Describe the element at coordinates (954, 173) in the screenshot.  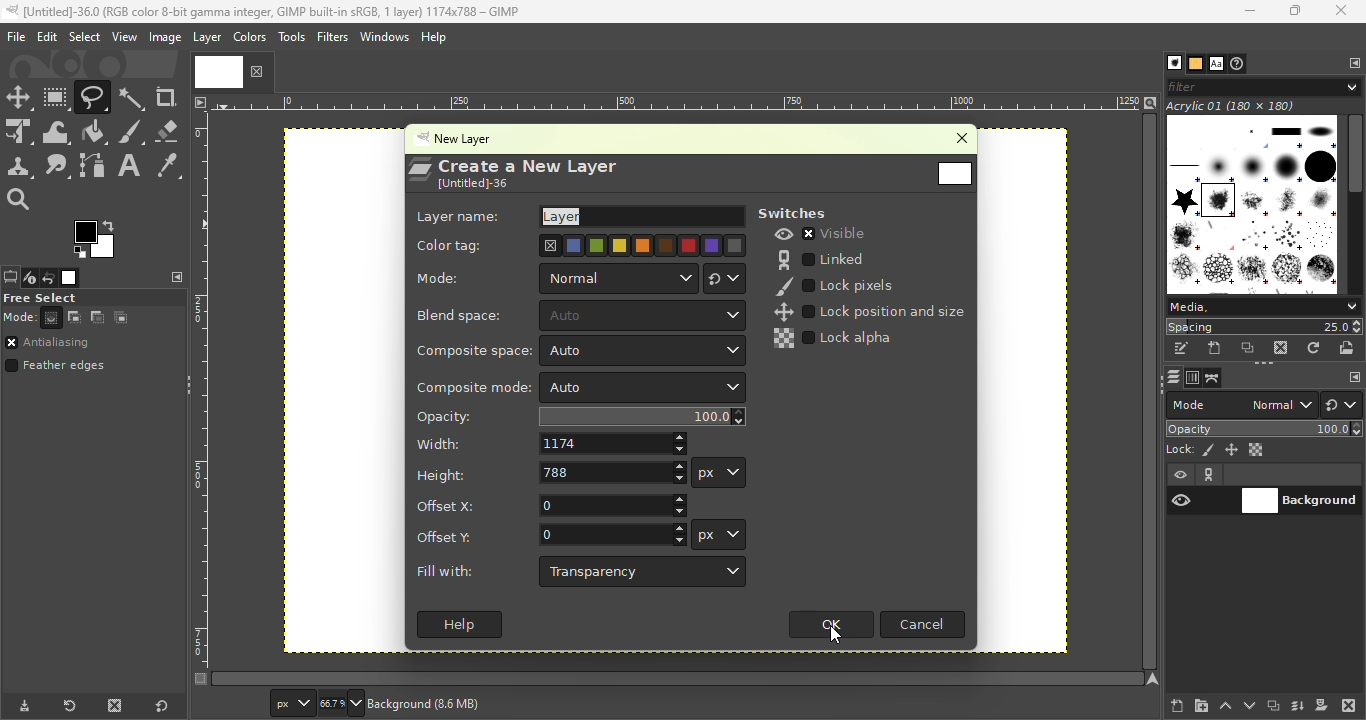
I see `Present file` at that location.